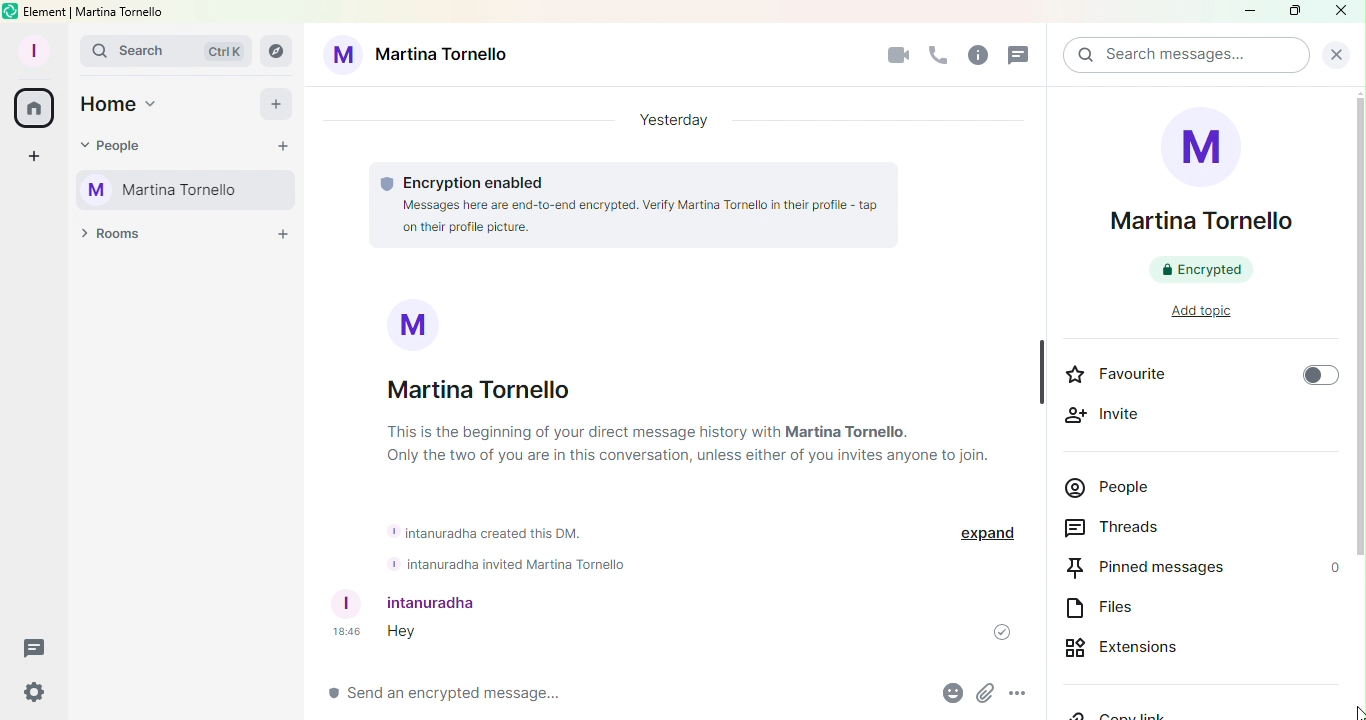 Image resolution: width=1366 pixels, height=720 pixels. What do you see at coordinates (31, 694) in the screenshot?
I see `Quick settings` at bounding box center [31, 694].